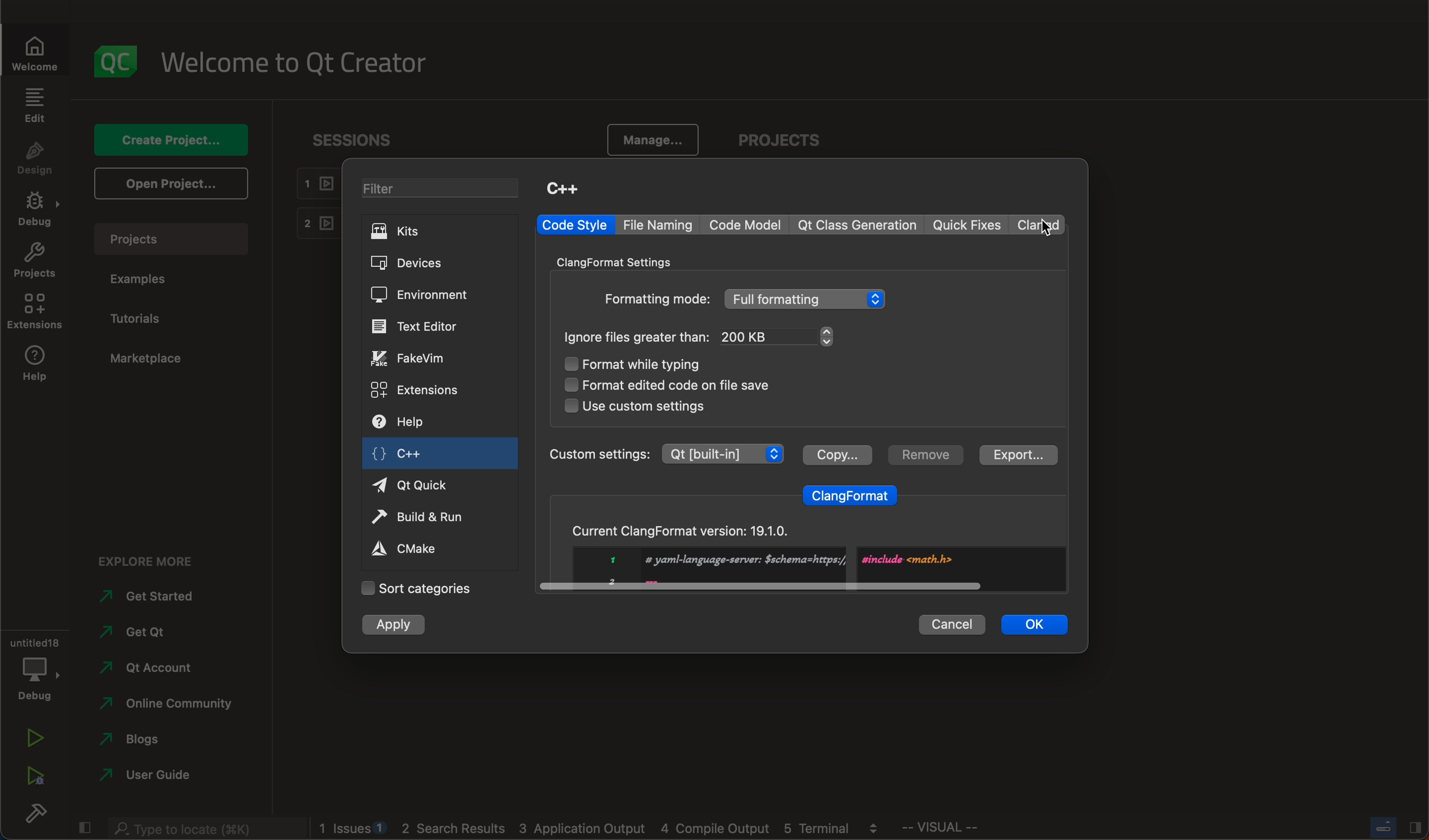 This screenshot has width=1429, height=840. Describe the element at coordinates (418, 390) in the screenshot. I see `extensions` at that location.